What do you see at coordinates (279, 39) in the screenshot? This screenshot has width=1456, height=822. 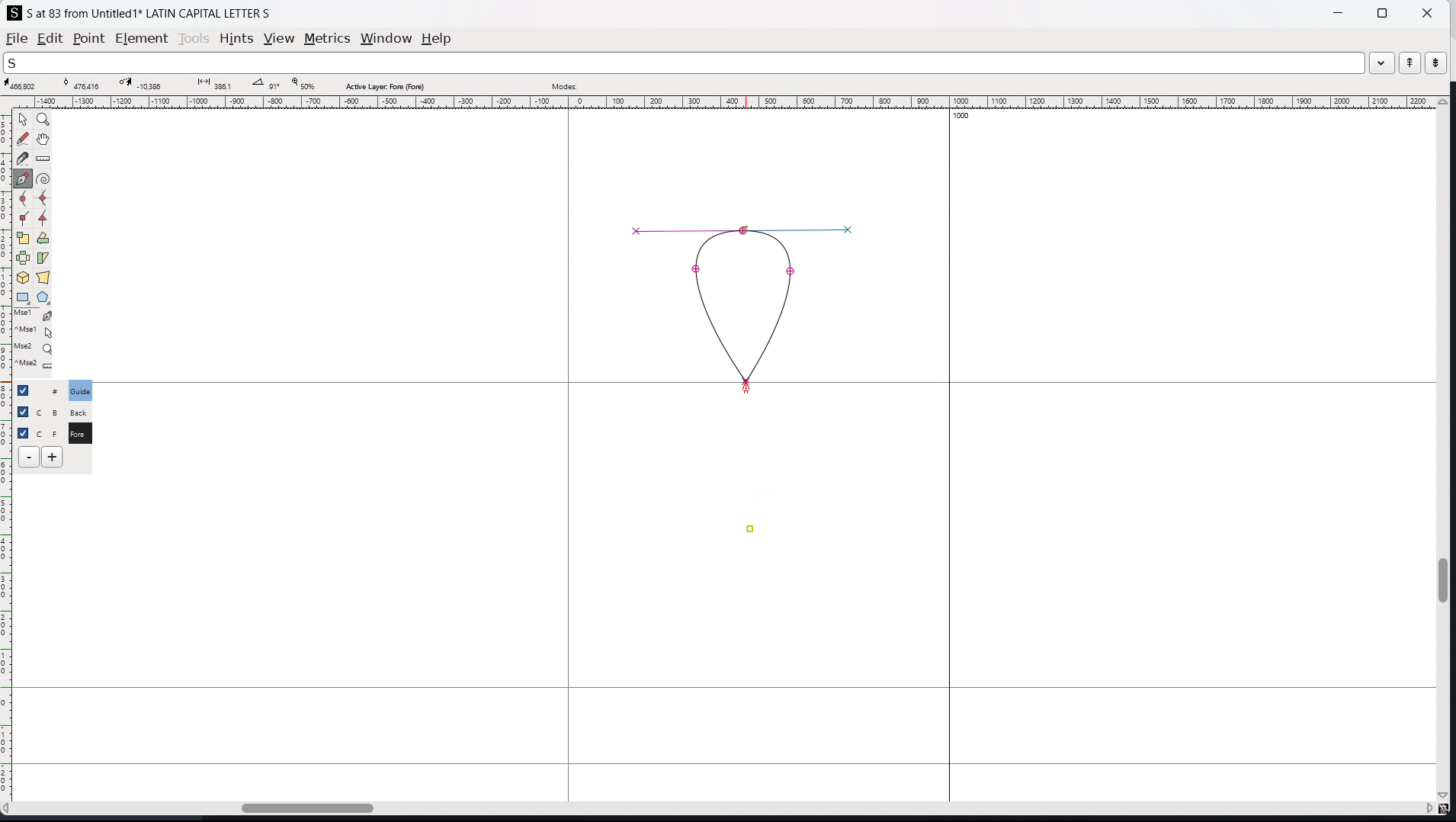 I see `view` at bounding box center [279, 39].